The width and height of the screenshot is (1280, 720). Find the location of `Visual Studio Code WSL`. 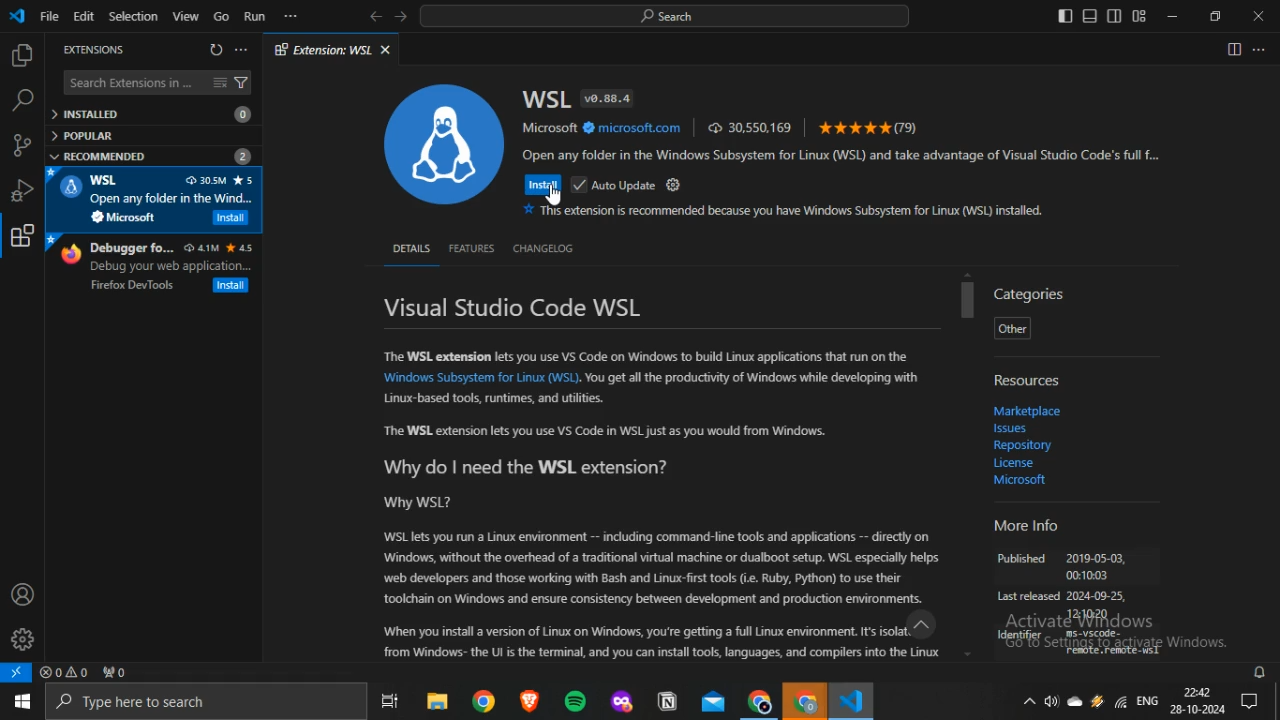

Visual Studio Code WSL is located at coordinates (513, 308).